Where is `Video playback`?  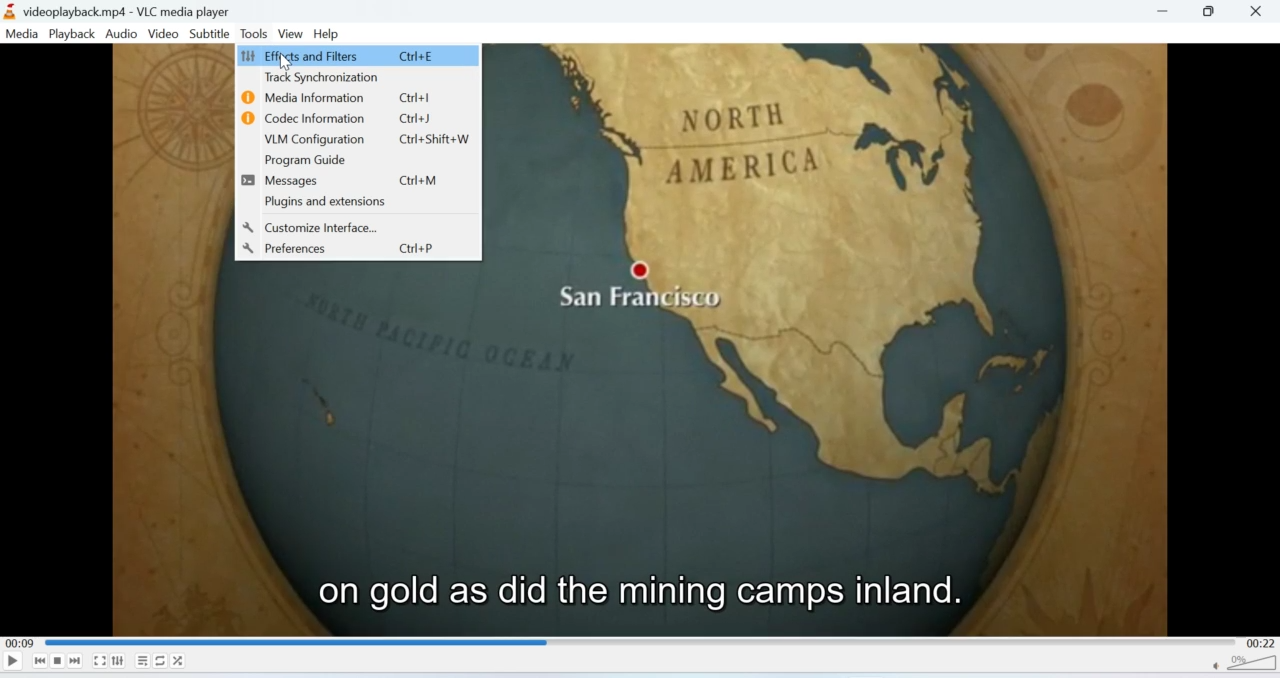 Video playback is located at coordinates (640, 447).